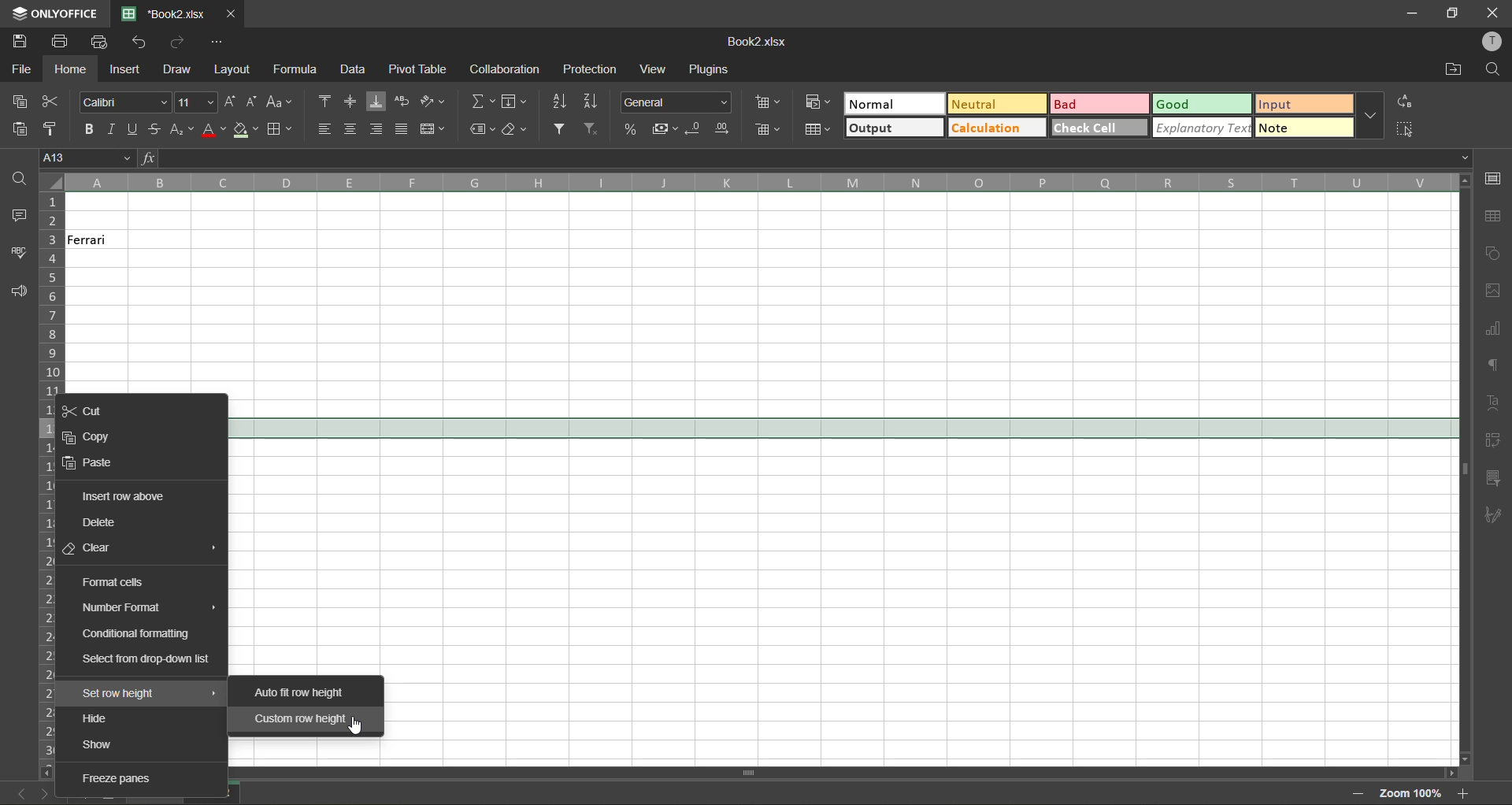 The image size is (1512, 805). I want to click on zoom factor, so click(1413, 793).